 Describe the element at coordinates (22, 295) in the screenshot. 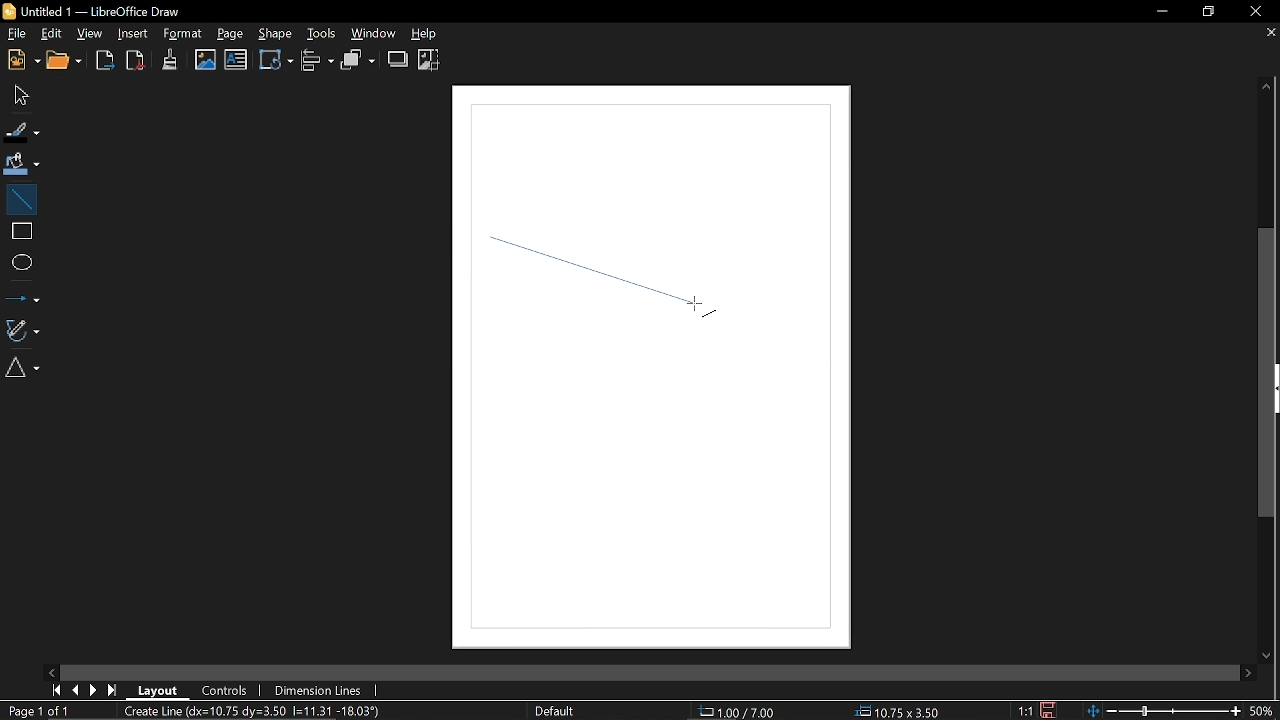

I see `Lines and arrows` at that location.